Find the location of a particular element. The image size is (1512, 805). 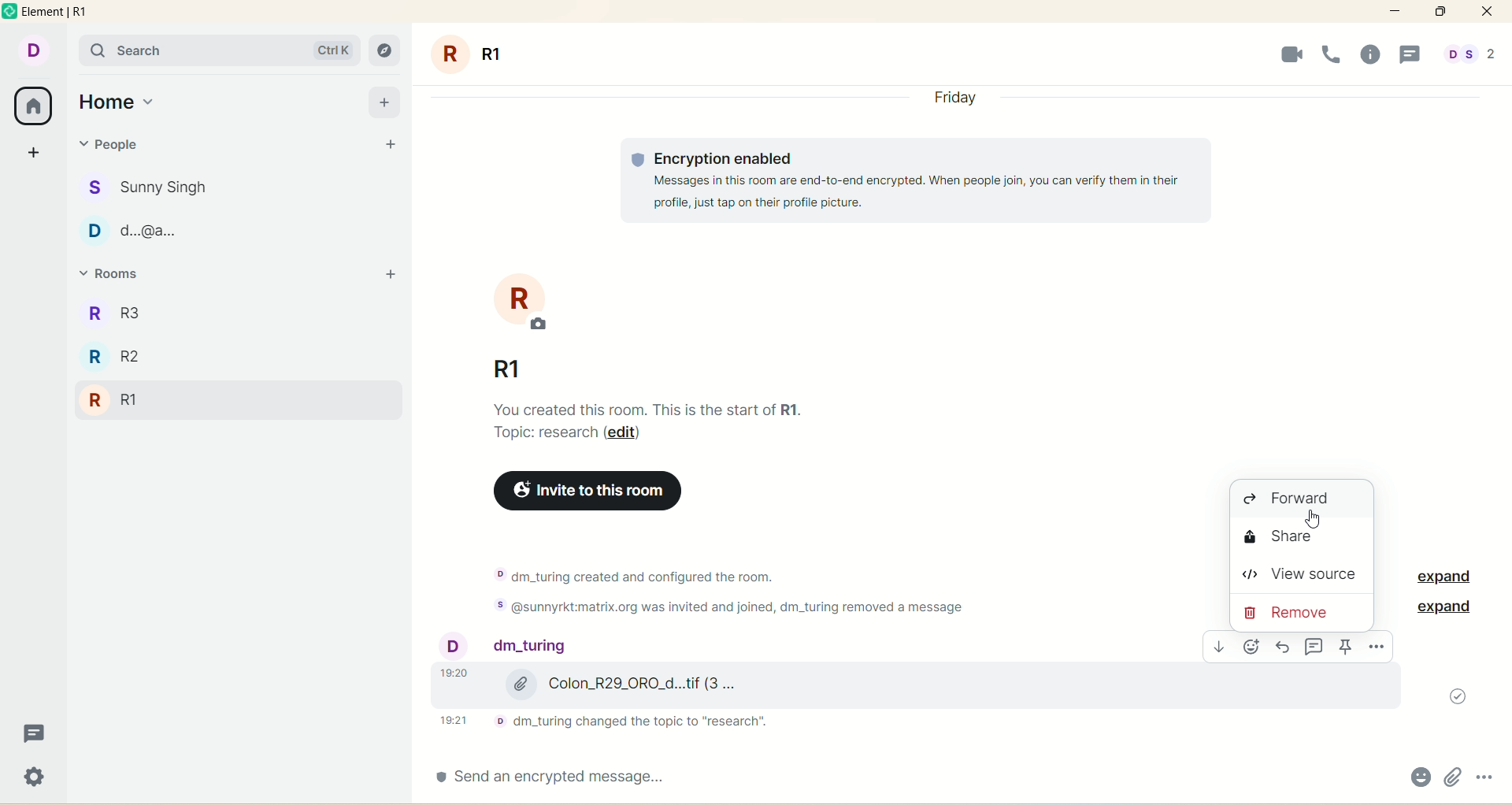

reply is located at coordinates (1284, 647).